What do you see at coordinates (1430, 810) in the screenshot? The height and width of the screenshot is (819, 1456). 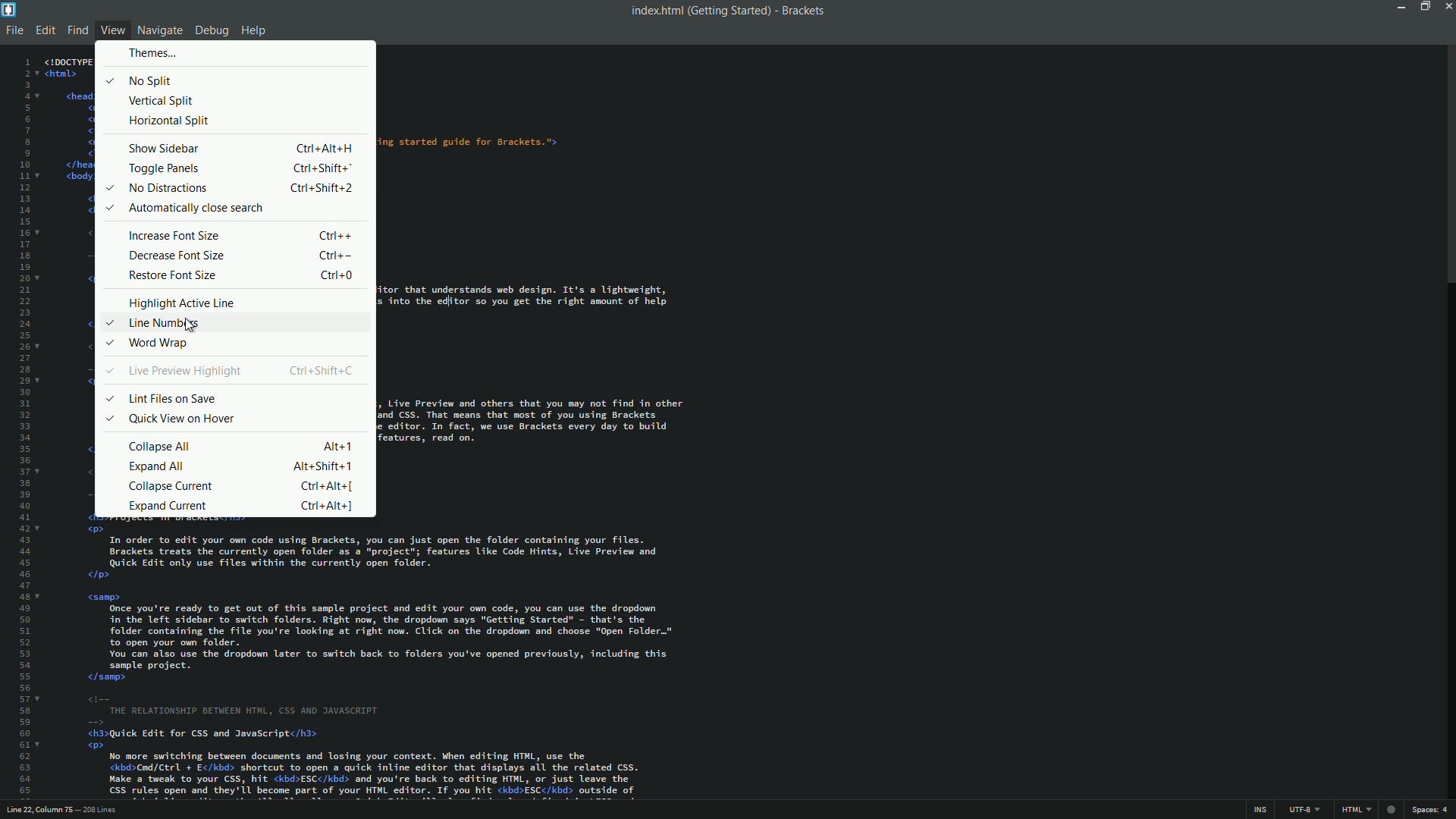 I see `spaces: 4` at bounding box center [1430, 810].